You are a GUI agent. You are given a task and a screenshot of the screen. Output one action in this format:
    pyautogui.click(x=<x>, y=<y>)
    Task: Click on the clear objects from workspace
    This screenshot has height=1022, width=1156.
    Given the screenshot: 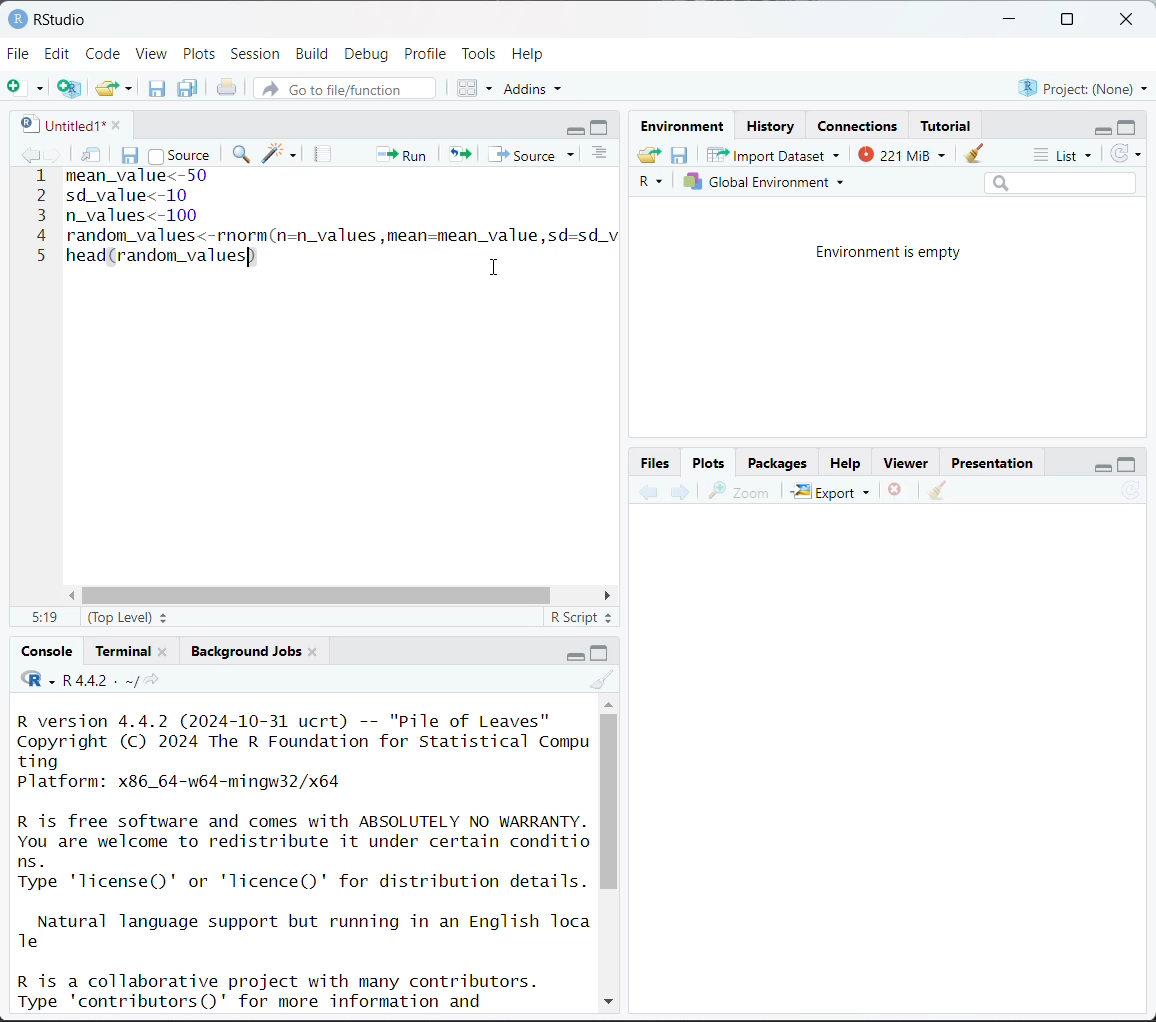 What is the action you would take?
    pyautogui.click(x=969, y=150)
    